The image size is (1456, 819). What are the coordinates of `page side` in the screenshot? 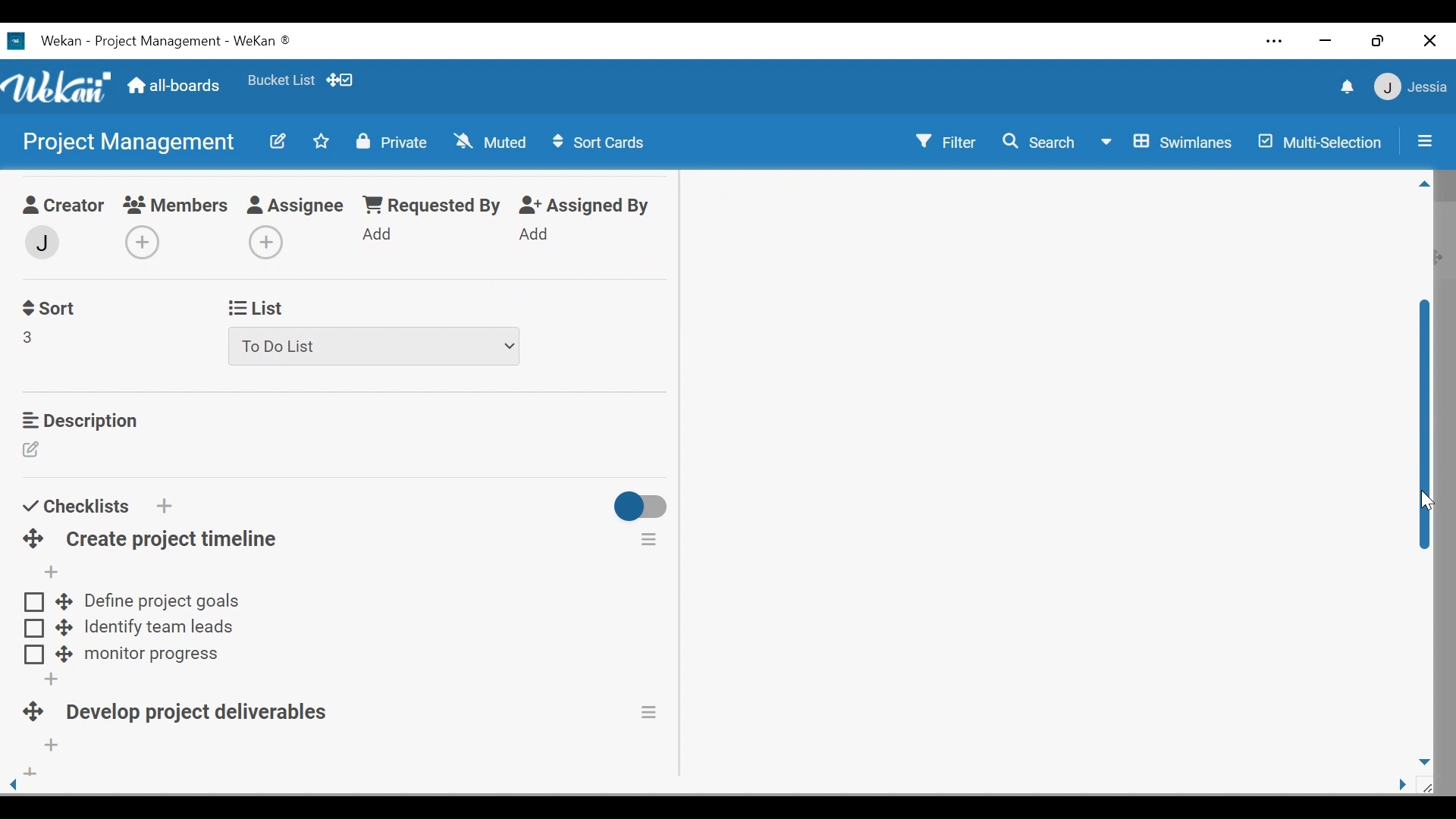 It's located at (1408, 786).